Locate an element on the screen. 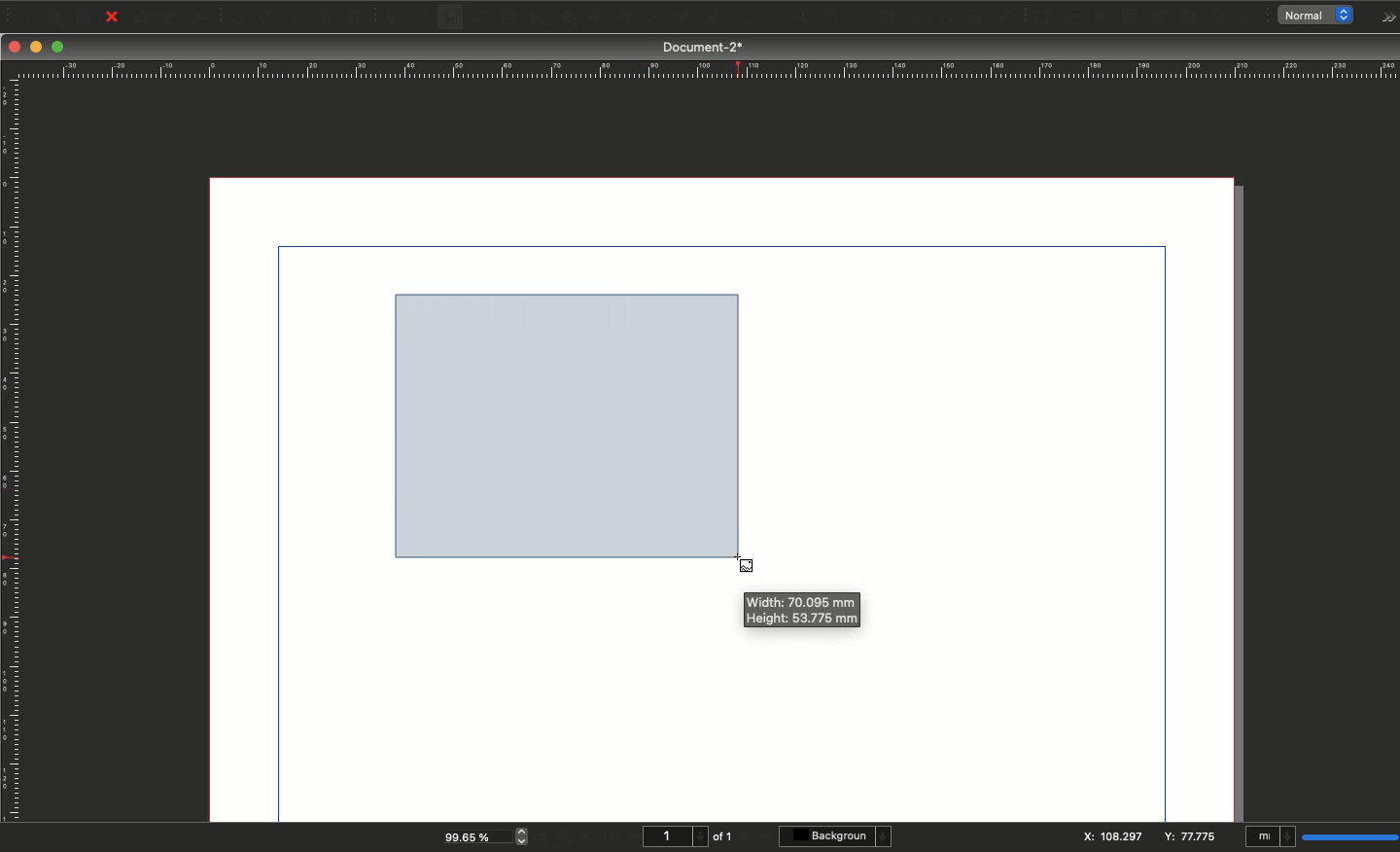  Ruler is located at coordinates (13, 451).